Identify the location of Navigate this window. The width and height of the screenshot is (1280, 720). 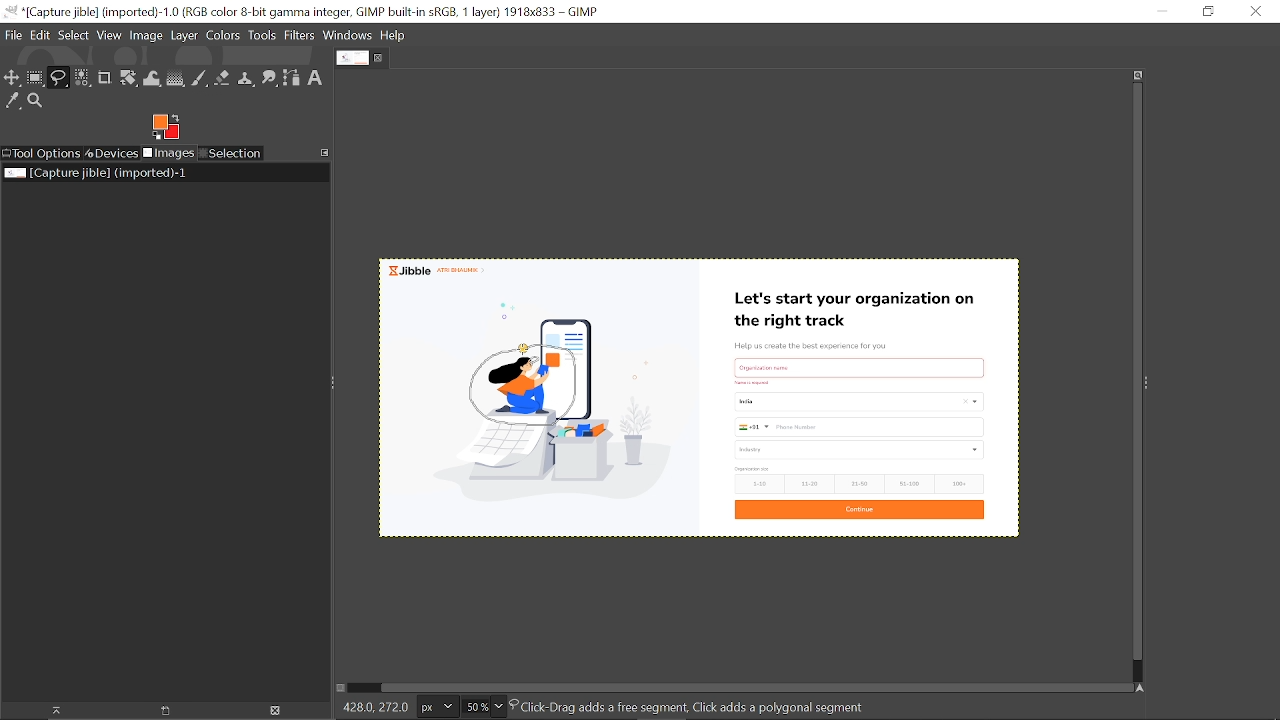
(1144, 689).